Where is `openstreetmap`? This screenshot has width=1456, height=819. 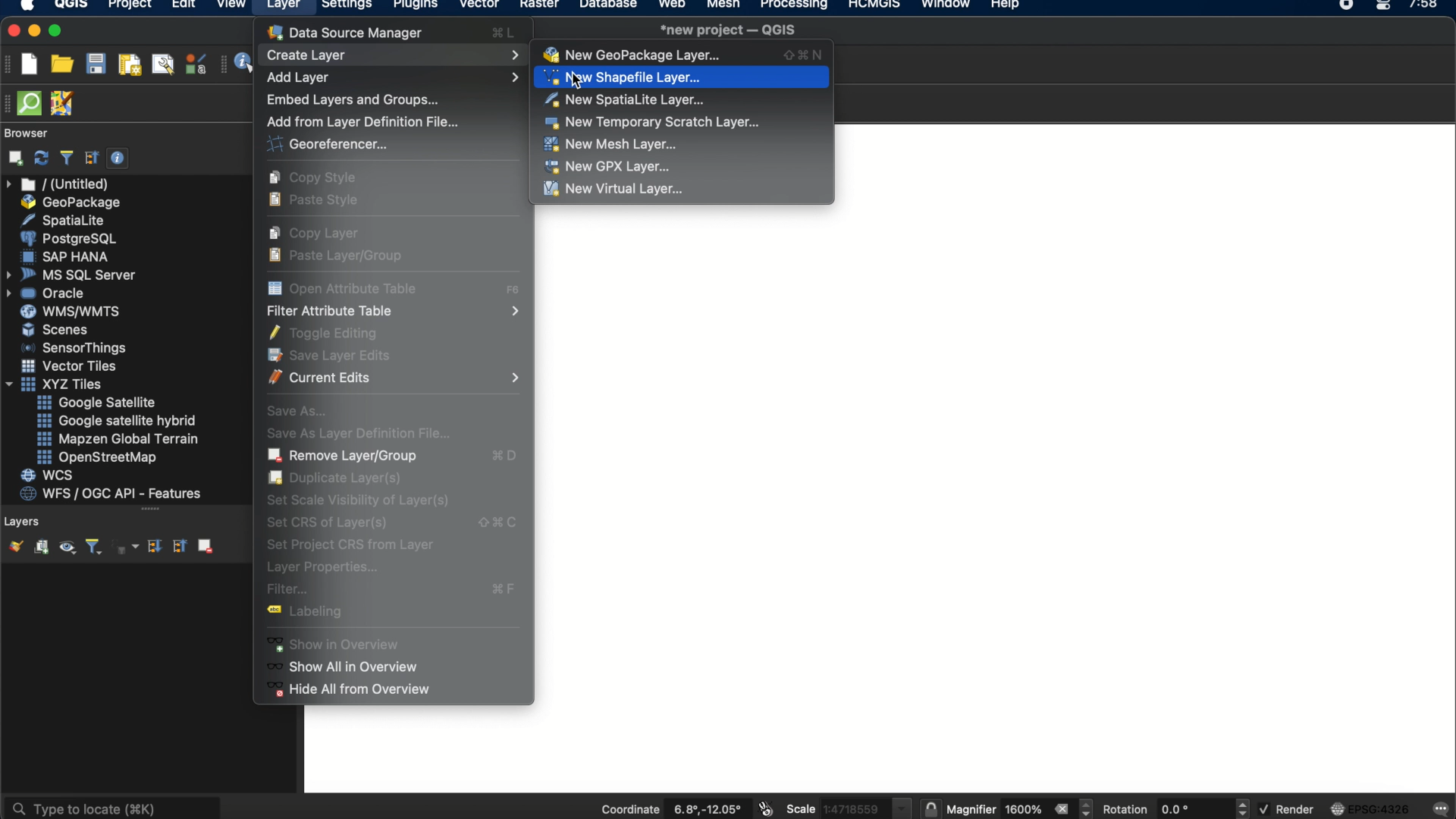 openstreetmap is located at coordinates (97, 458).